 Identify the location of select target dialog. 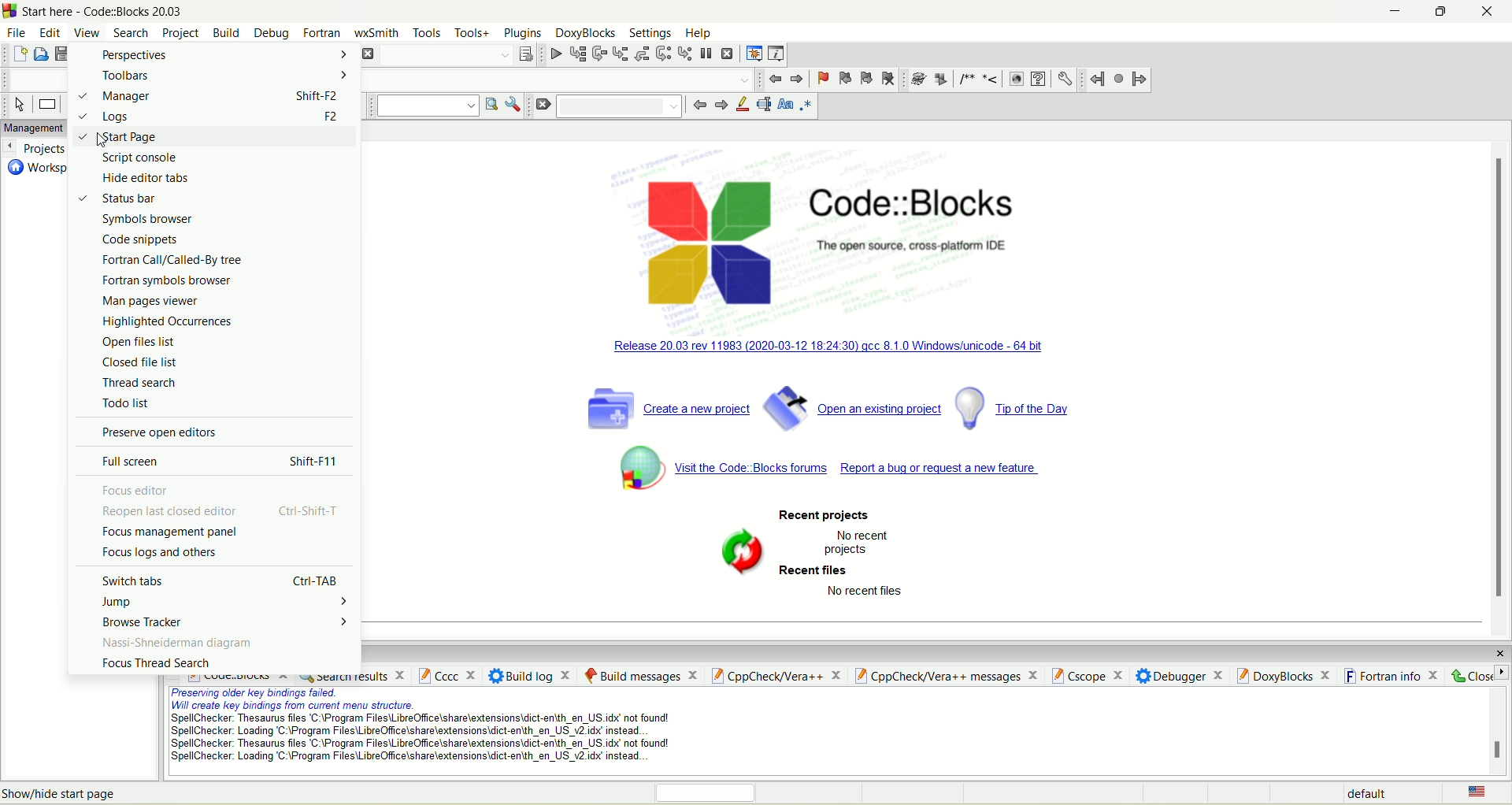
(525, 54).